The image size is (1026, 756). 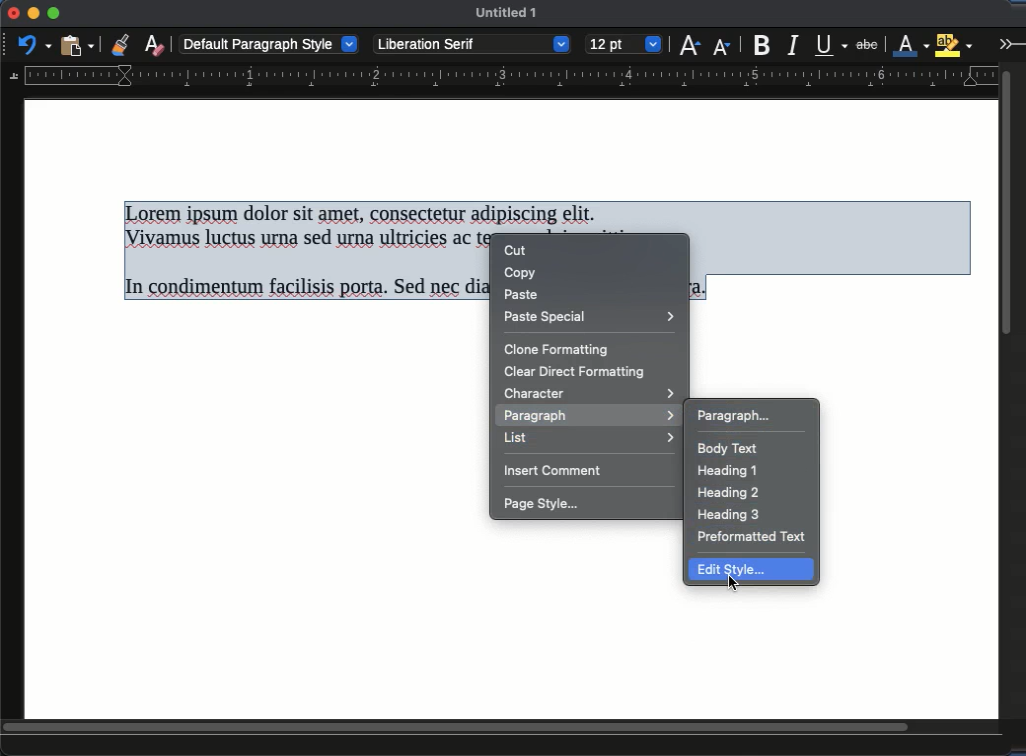 I want to click on expand, so click(x=1009, y=43).